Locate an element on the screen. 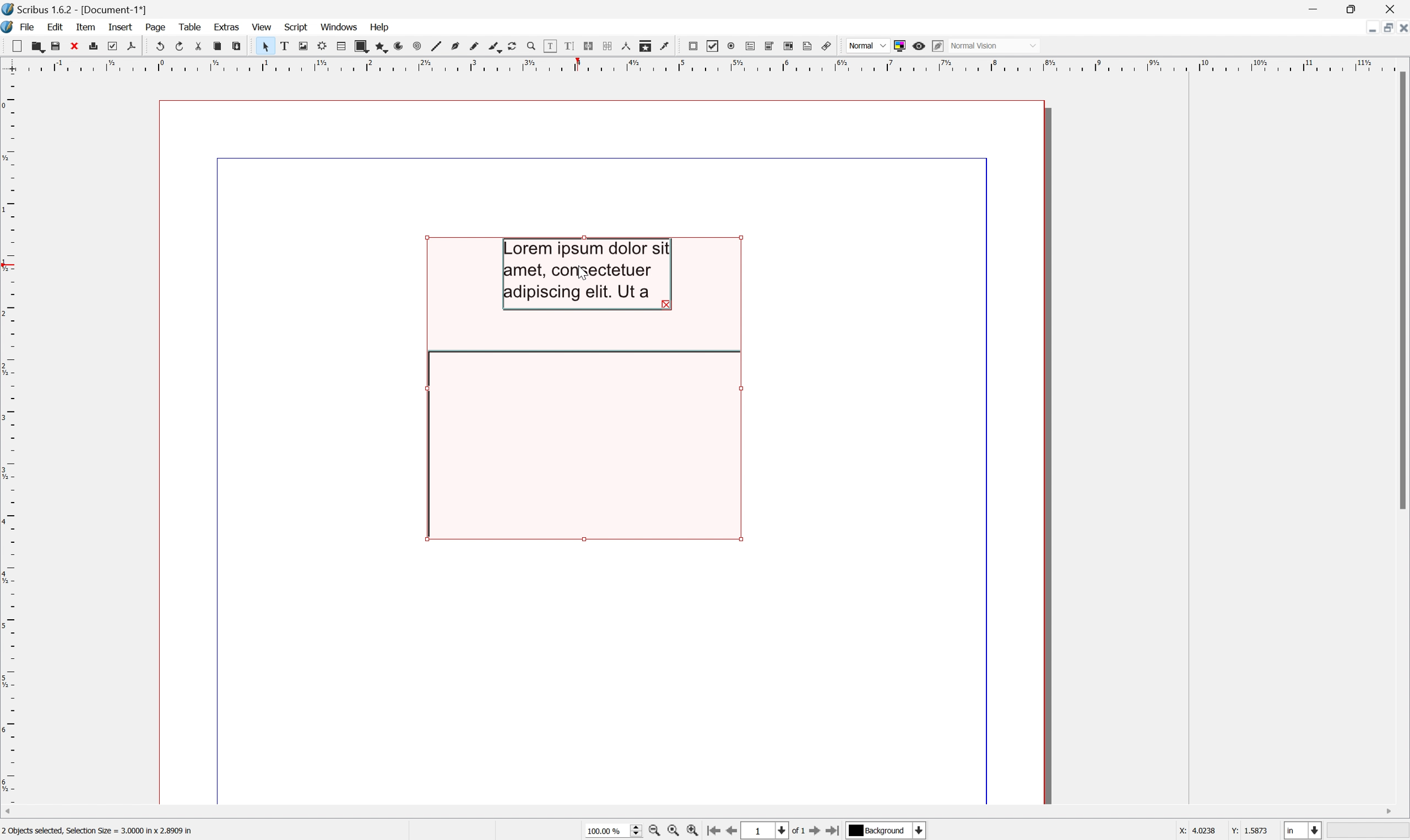  Current zoom level is located at coordinates (613, 832).